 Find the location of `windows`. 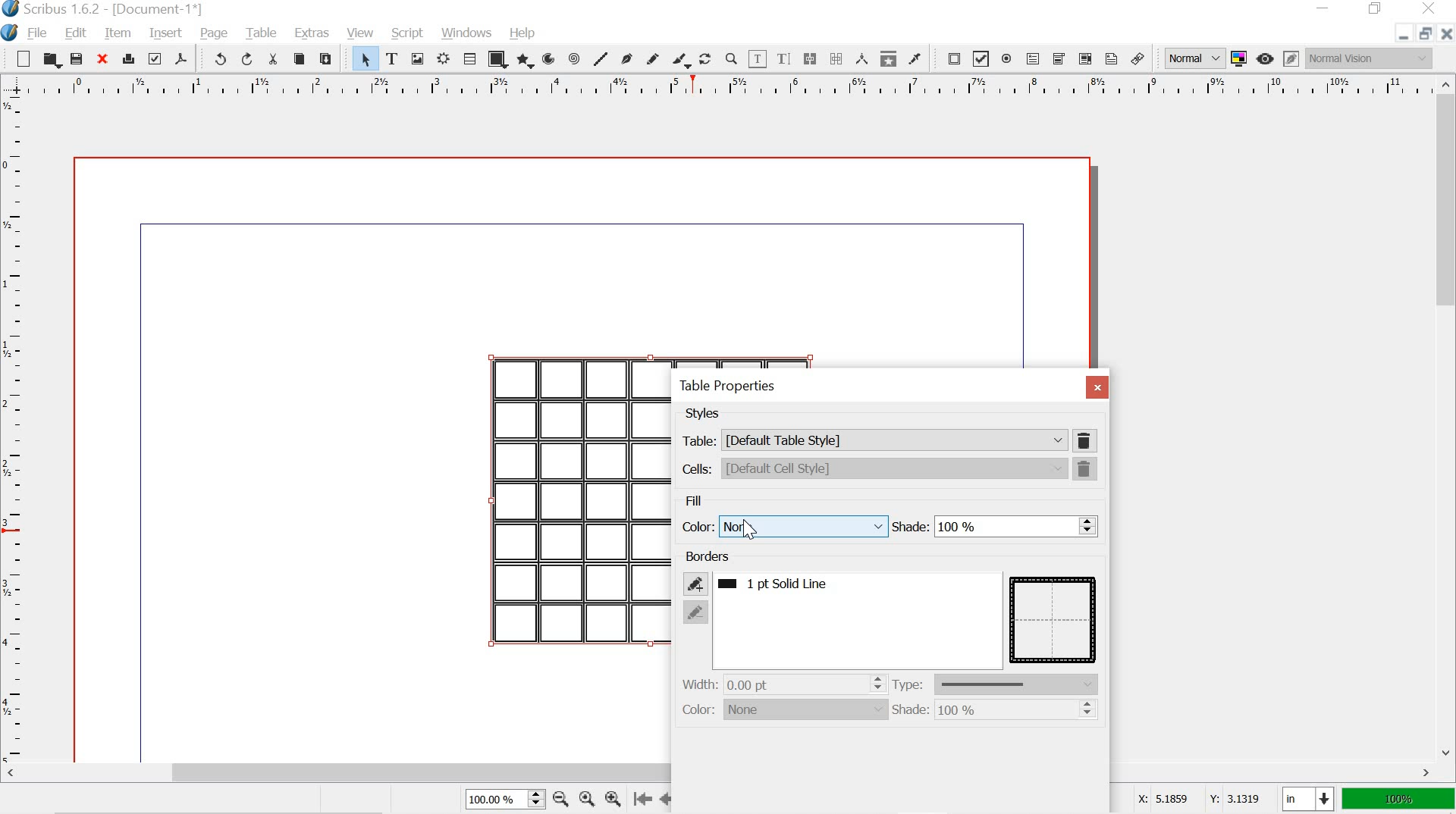

windows is located at coordinates (469, 33).